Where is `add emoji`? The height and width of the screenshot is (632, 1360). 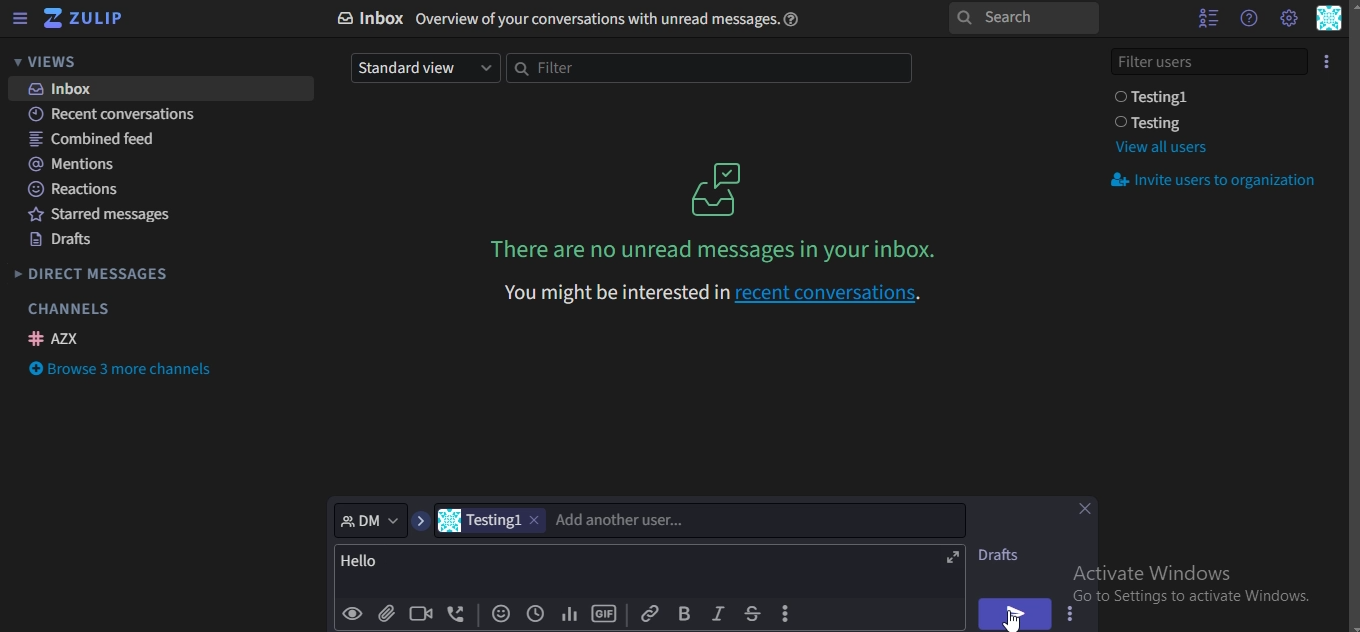
add emoji is located at coordinates (502, 615).